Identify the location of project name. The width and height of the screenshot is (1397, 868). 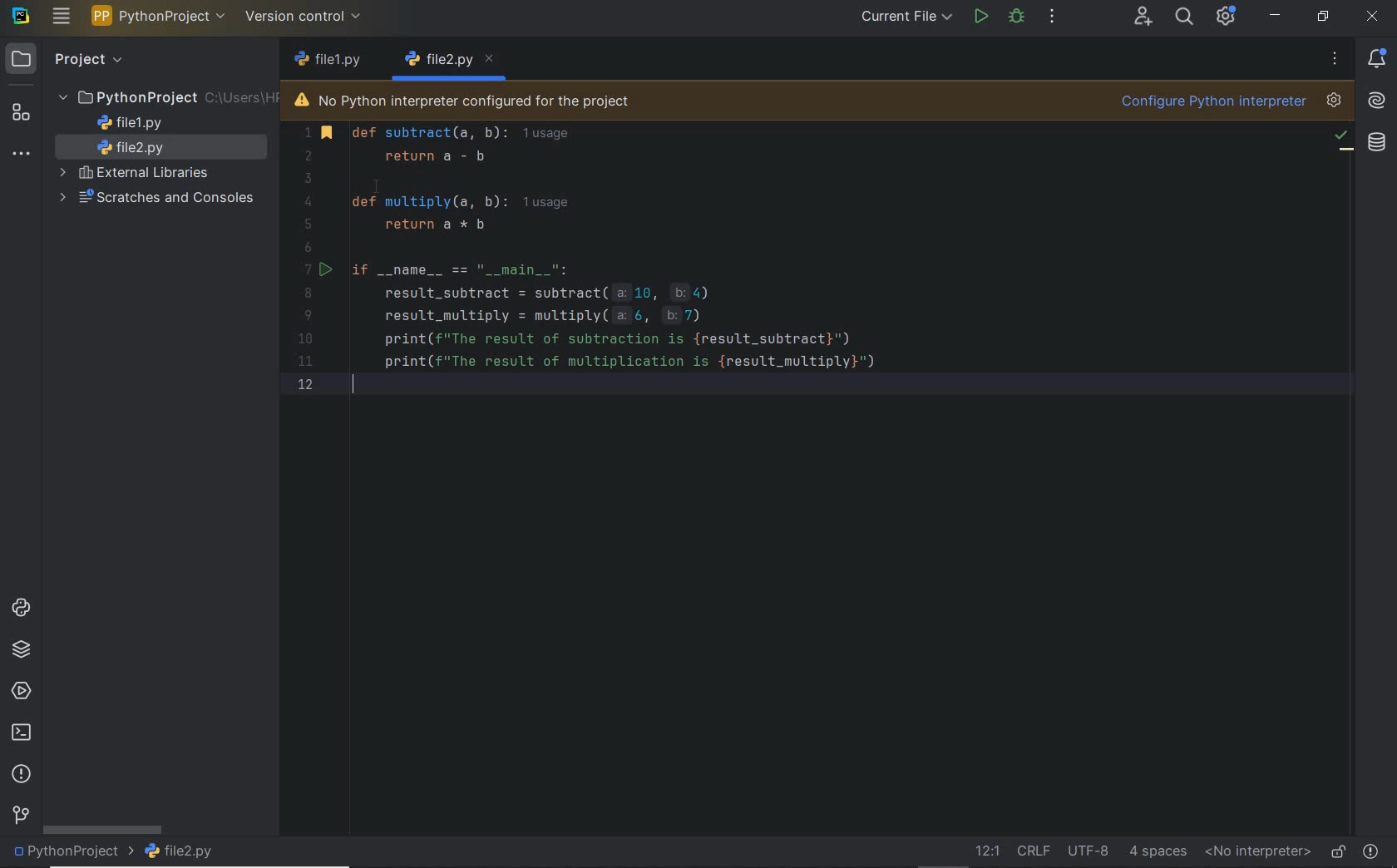
(71, 854).